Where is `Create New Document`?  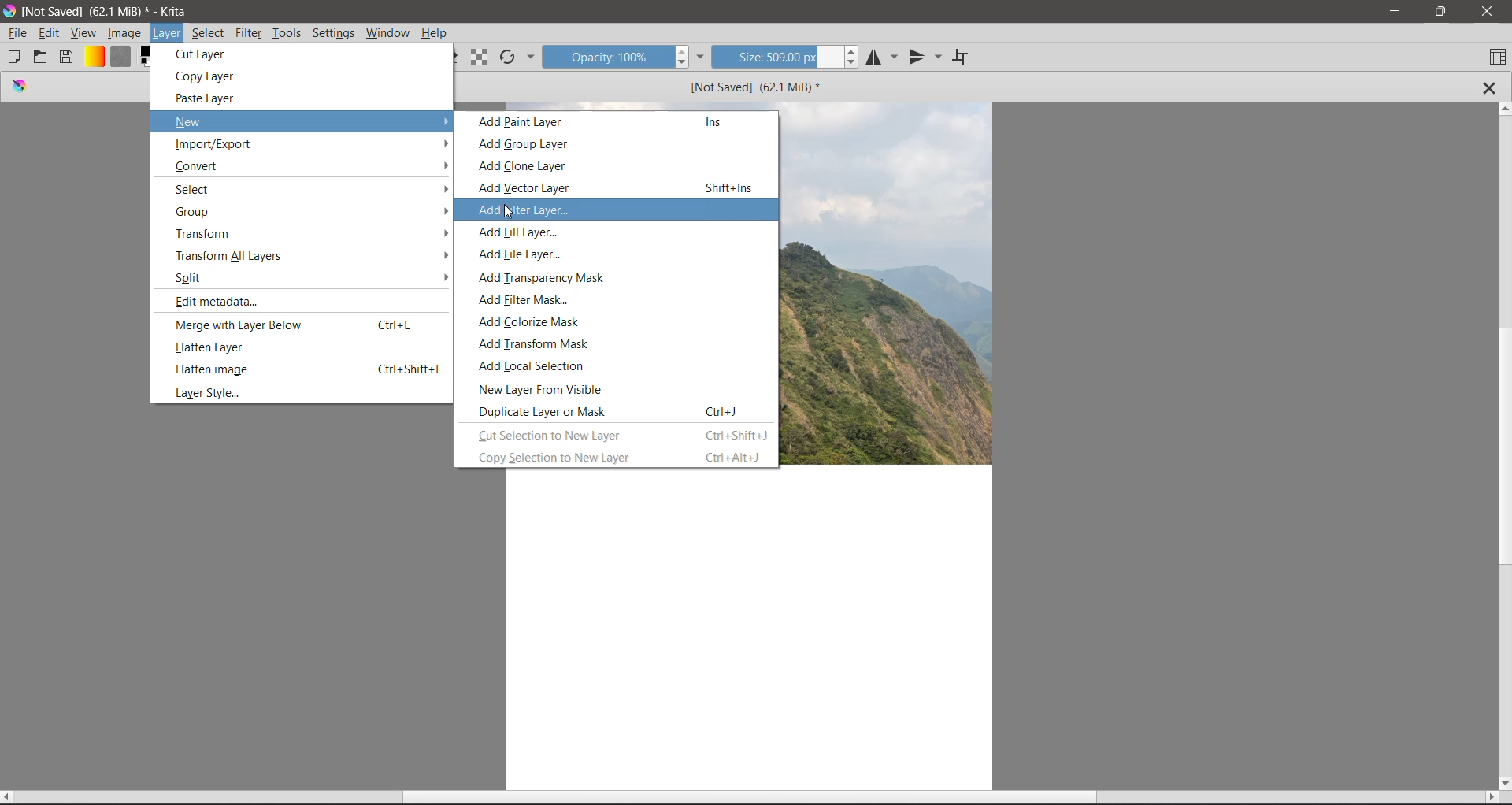
Create New Document is located at coordinates (13, 57).